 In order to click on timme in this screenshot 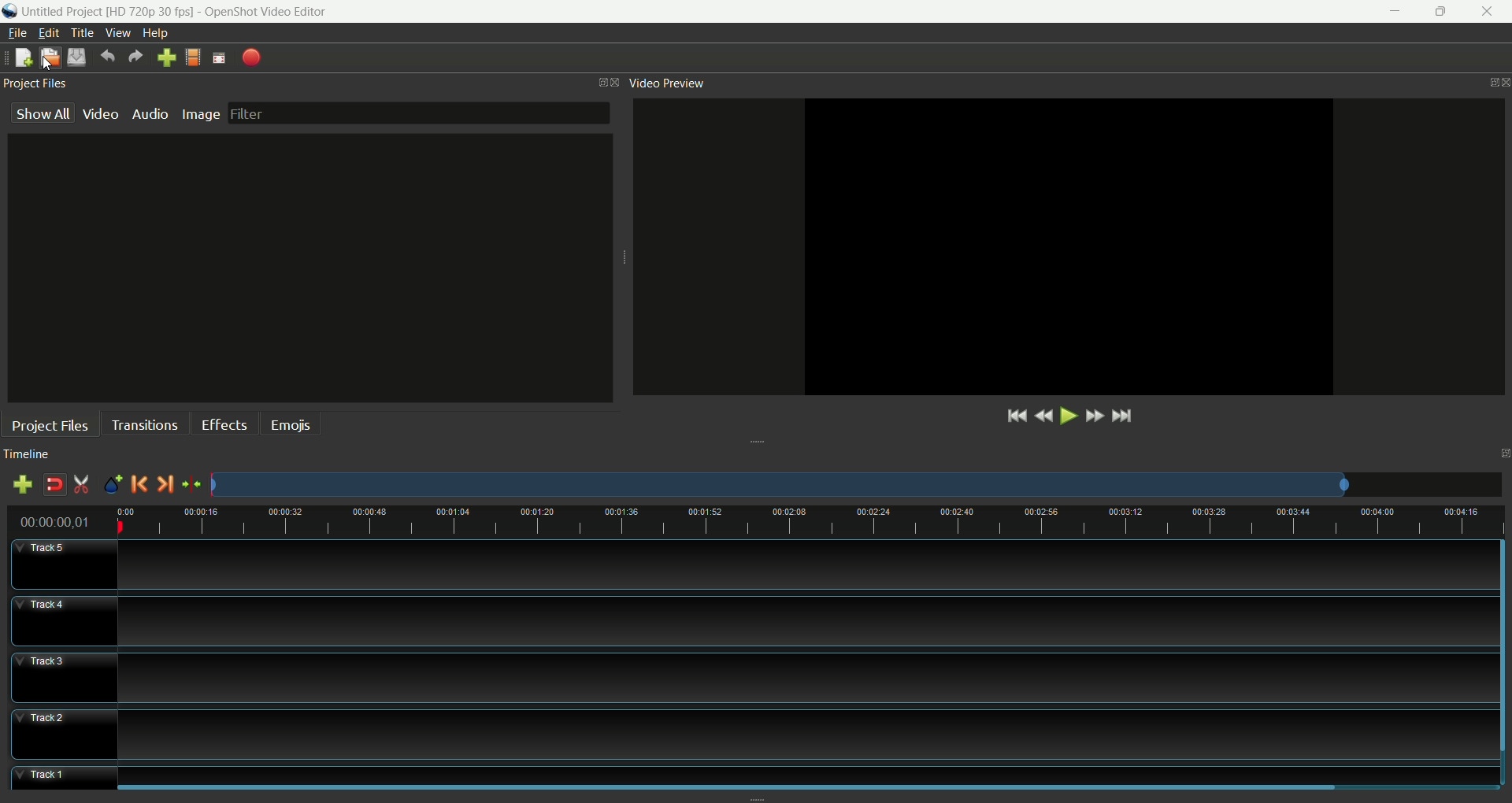, I will do `click(61, 522)`.